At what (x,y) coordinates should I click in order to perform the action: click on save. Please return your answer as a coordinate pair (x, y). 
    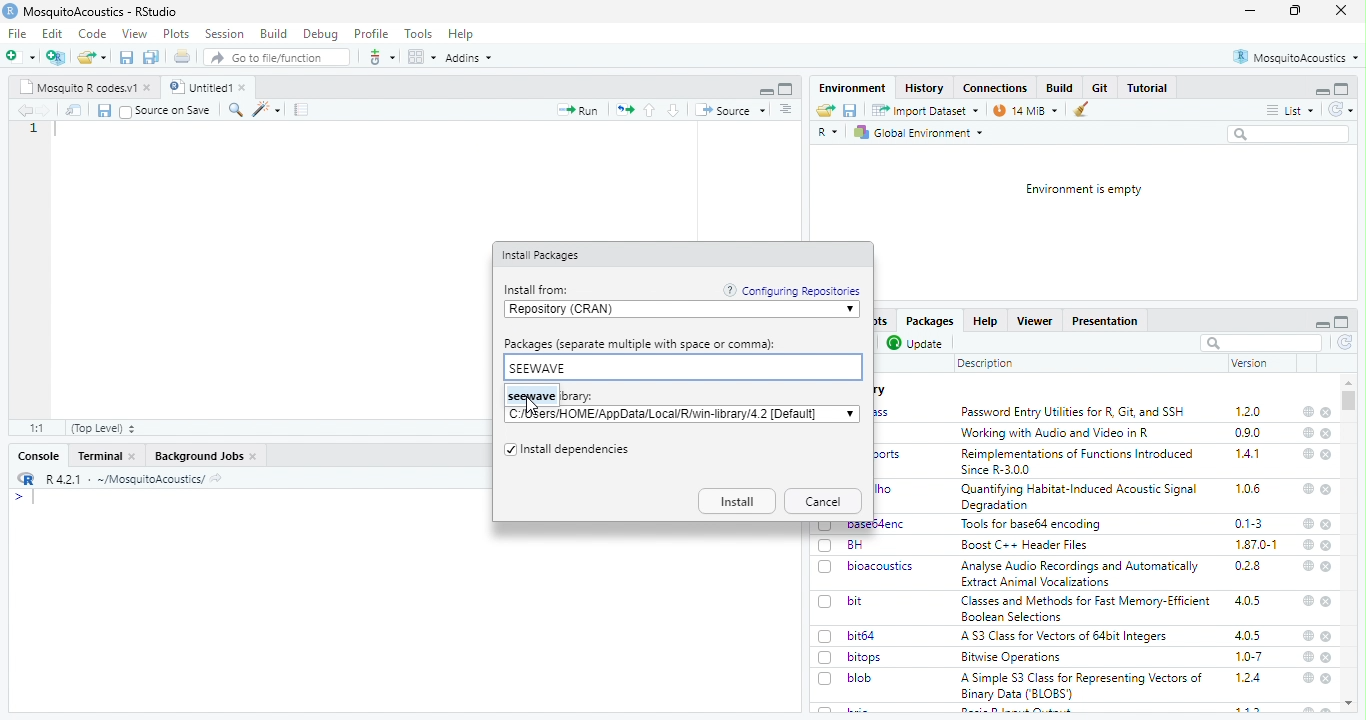
    Looking at the image, I should click on (104, 111).